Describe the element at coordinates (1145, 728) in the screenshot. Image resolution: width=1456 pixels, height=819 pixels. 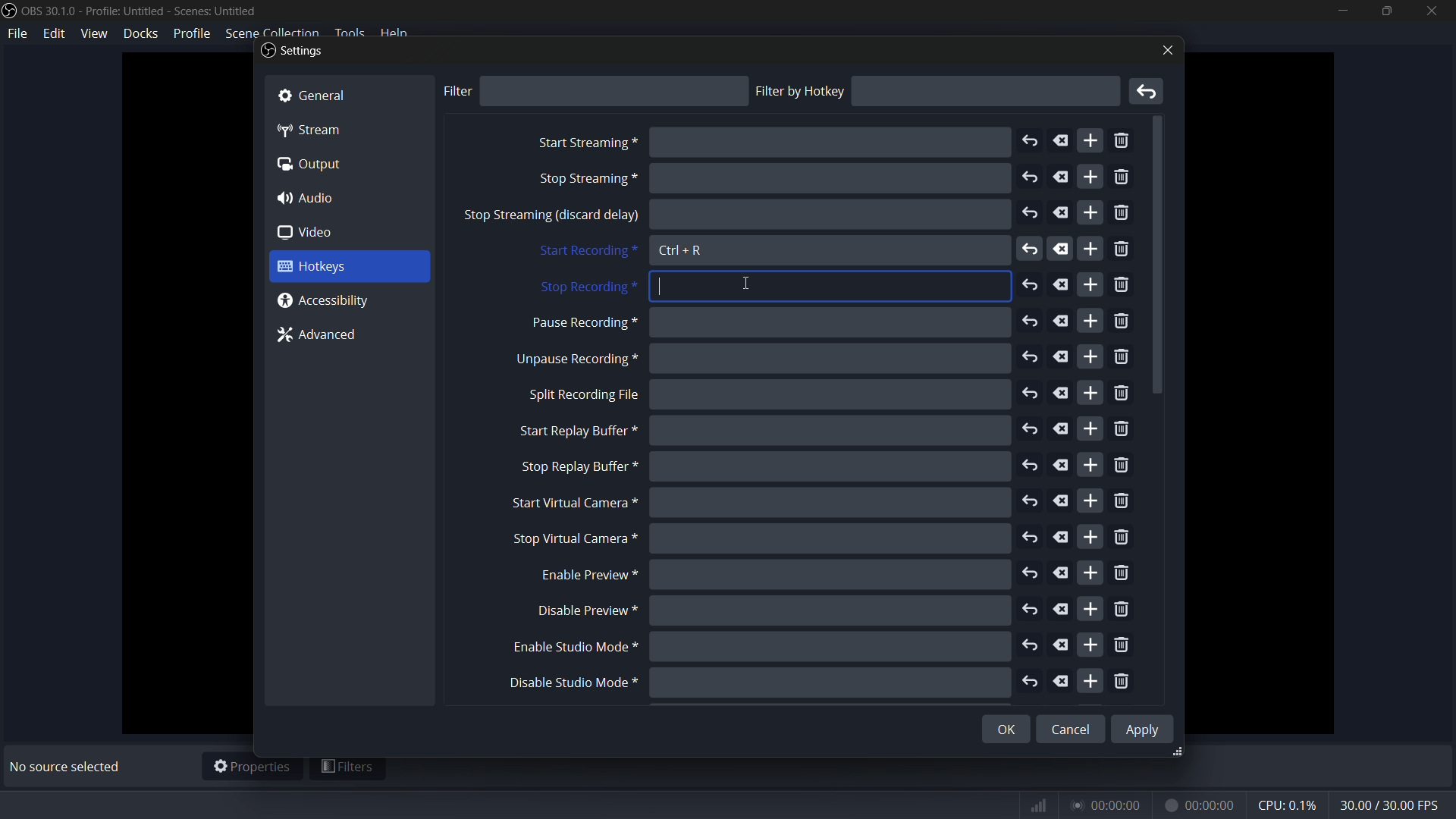
I see `Apply` at that location.